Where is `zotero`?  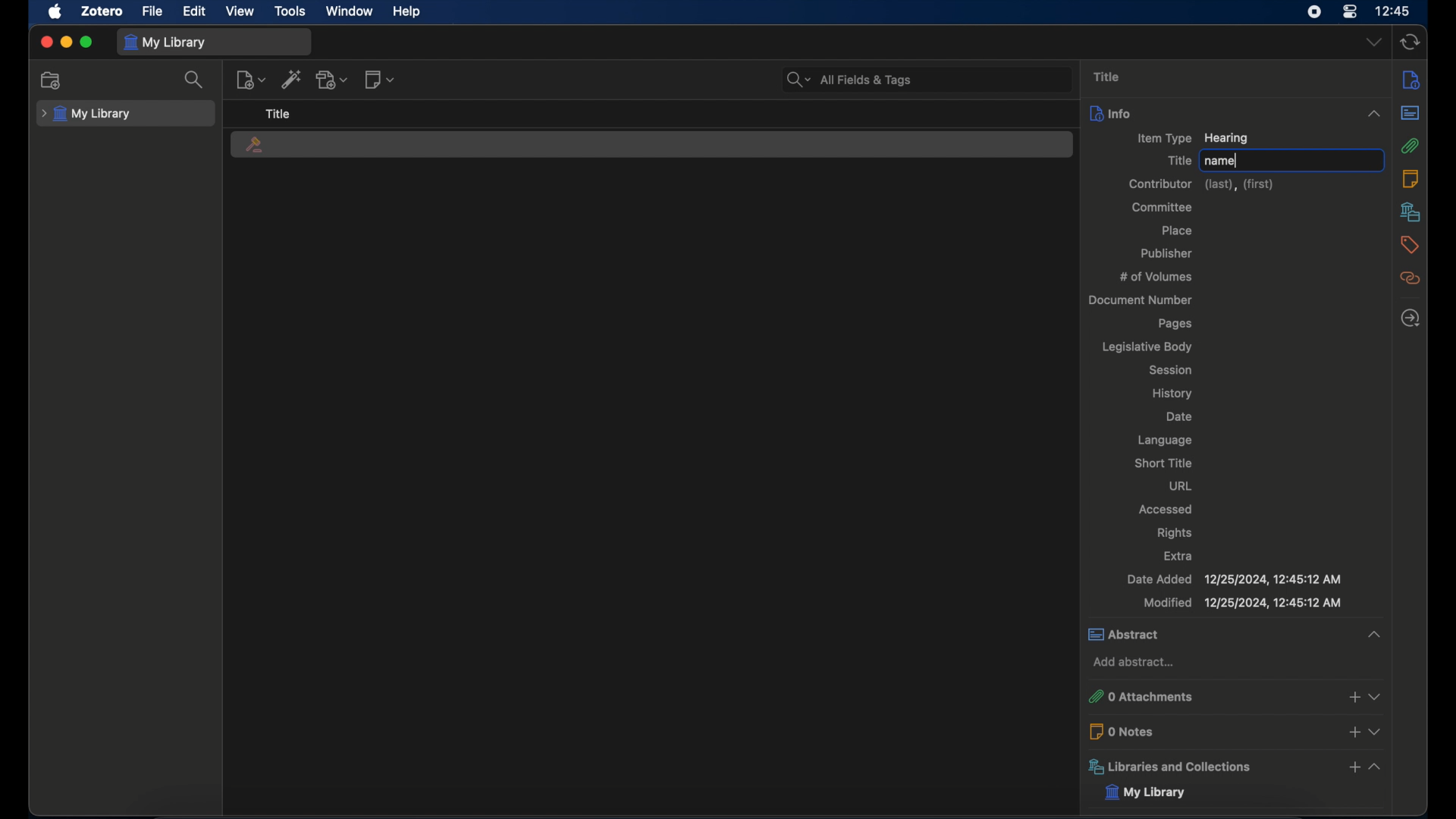 zotero is located at coordinates (102, 11).